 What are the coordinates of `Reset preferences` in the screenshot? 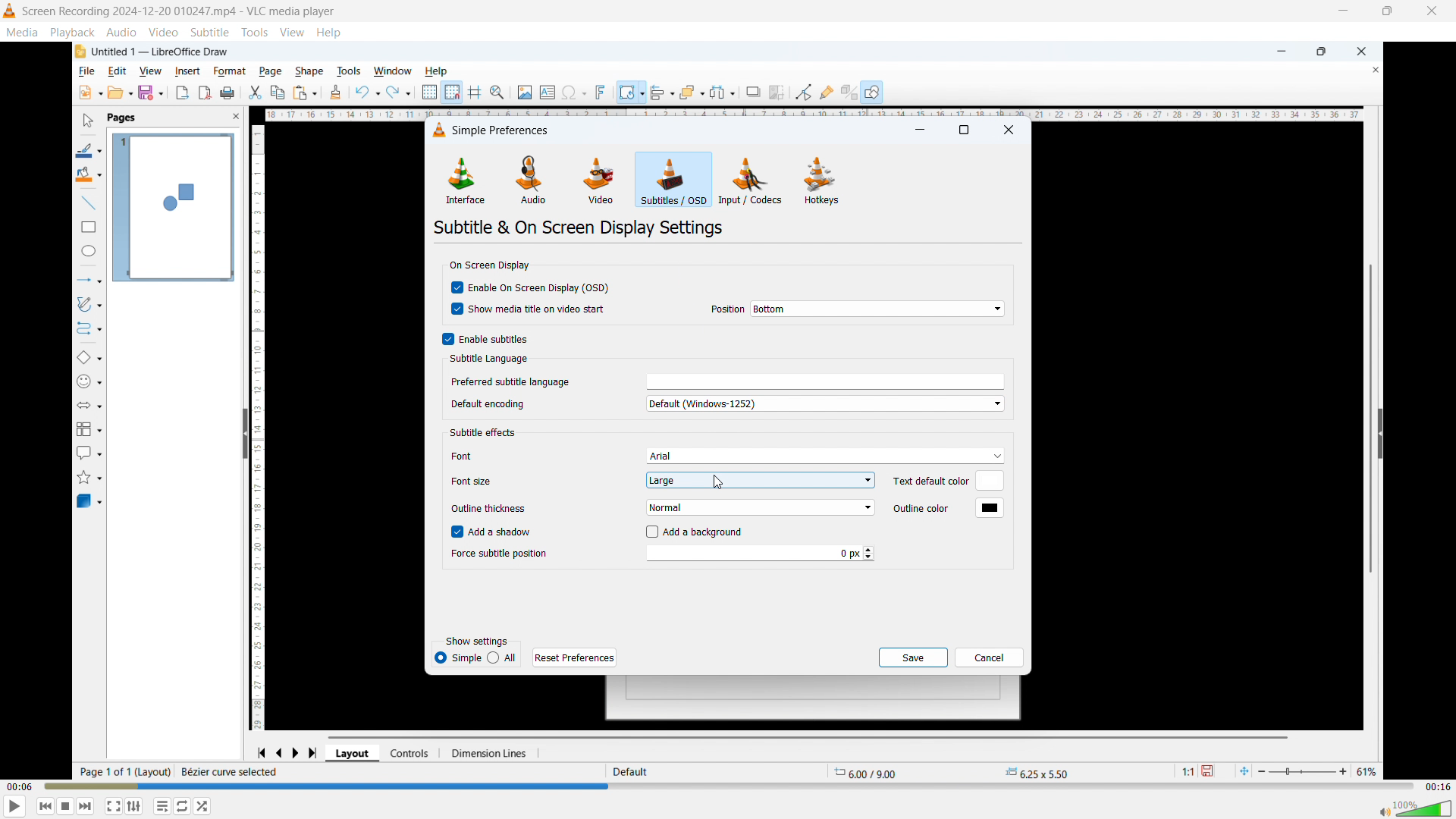 It's located at (575, 657).